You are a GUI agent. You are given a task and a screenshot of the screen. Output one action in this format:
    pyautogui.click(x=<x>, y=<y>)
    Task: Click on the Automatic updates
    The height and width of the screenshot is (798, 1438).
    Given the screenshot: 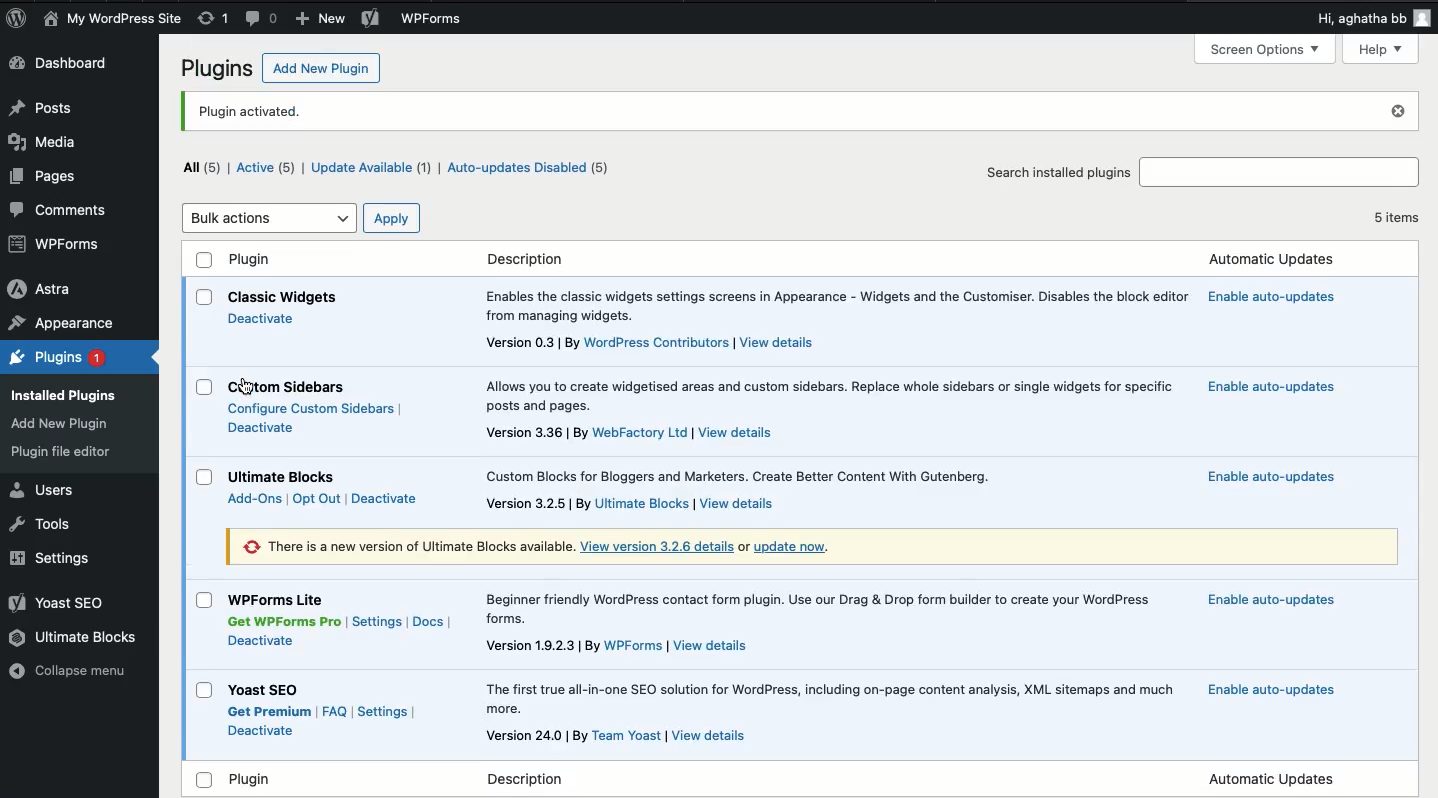 What is the action you would take?
    pyautogui.click(x=1268, y=690)
    